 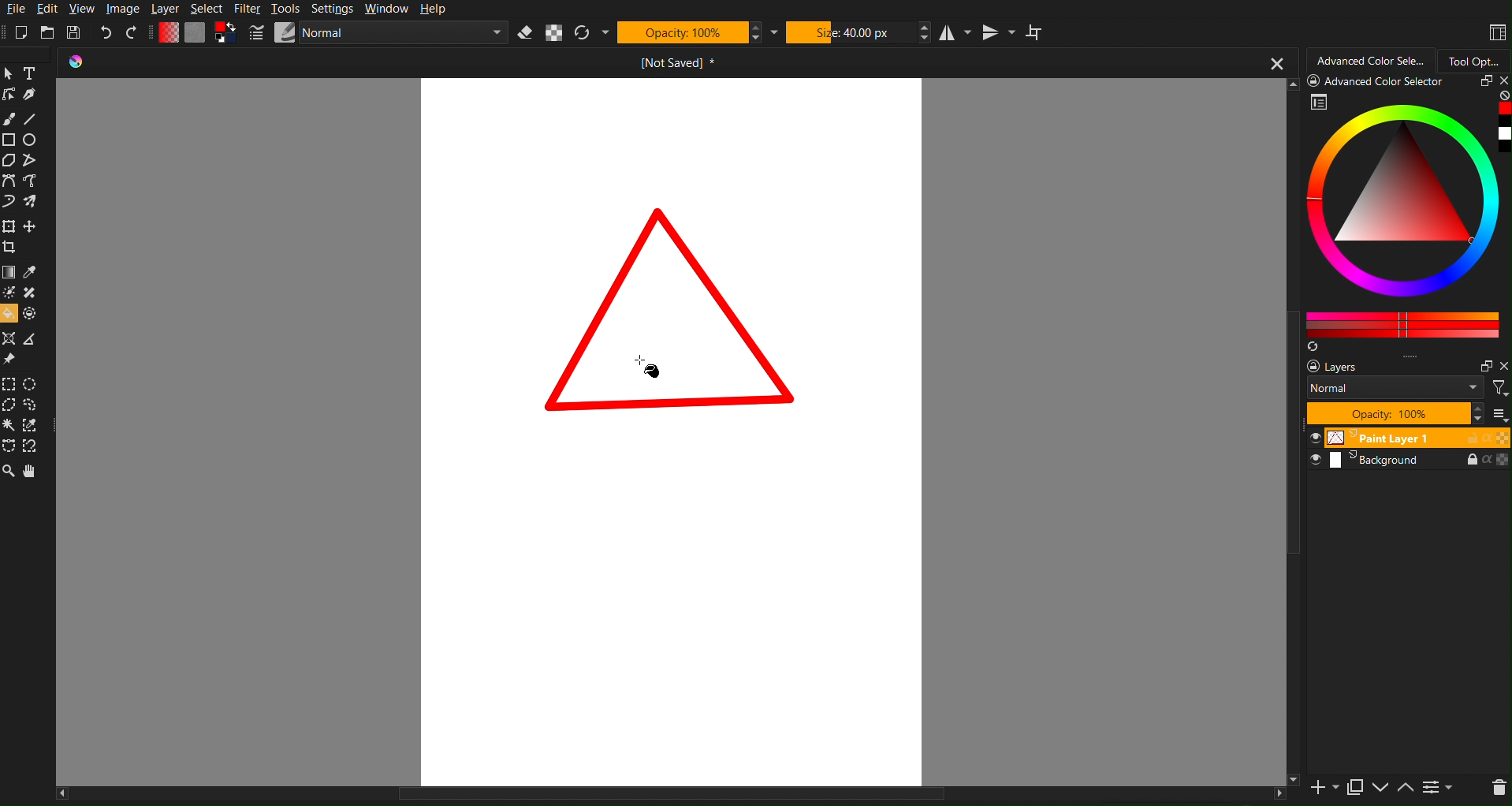 I want to click on Tools, so click(x=286, y=9).